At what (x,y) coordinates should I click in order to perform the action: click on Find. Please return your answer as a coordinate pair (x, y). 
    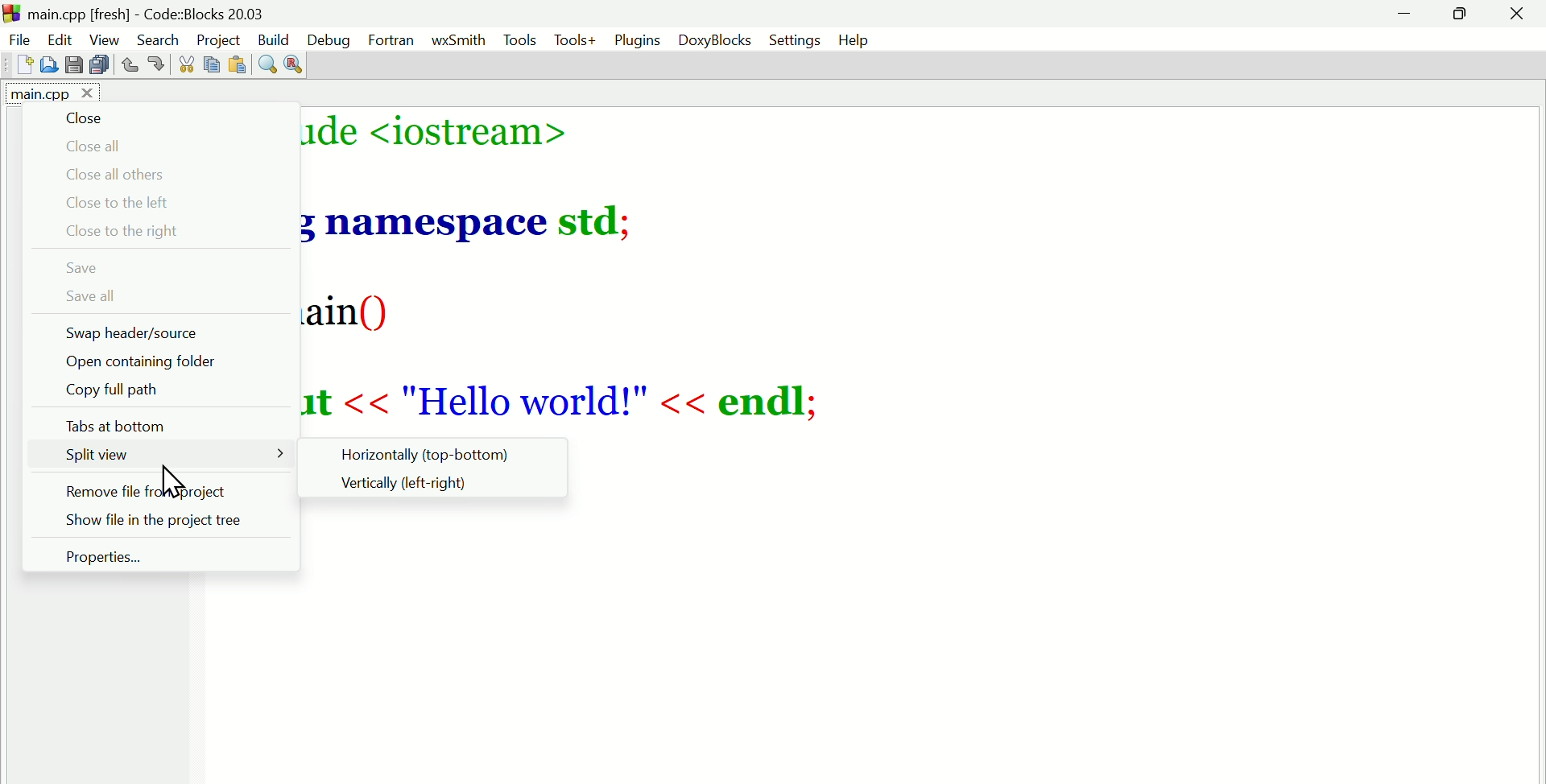
    Looking at the image, I should click on (267, 62).